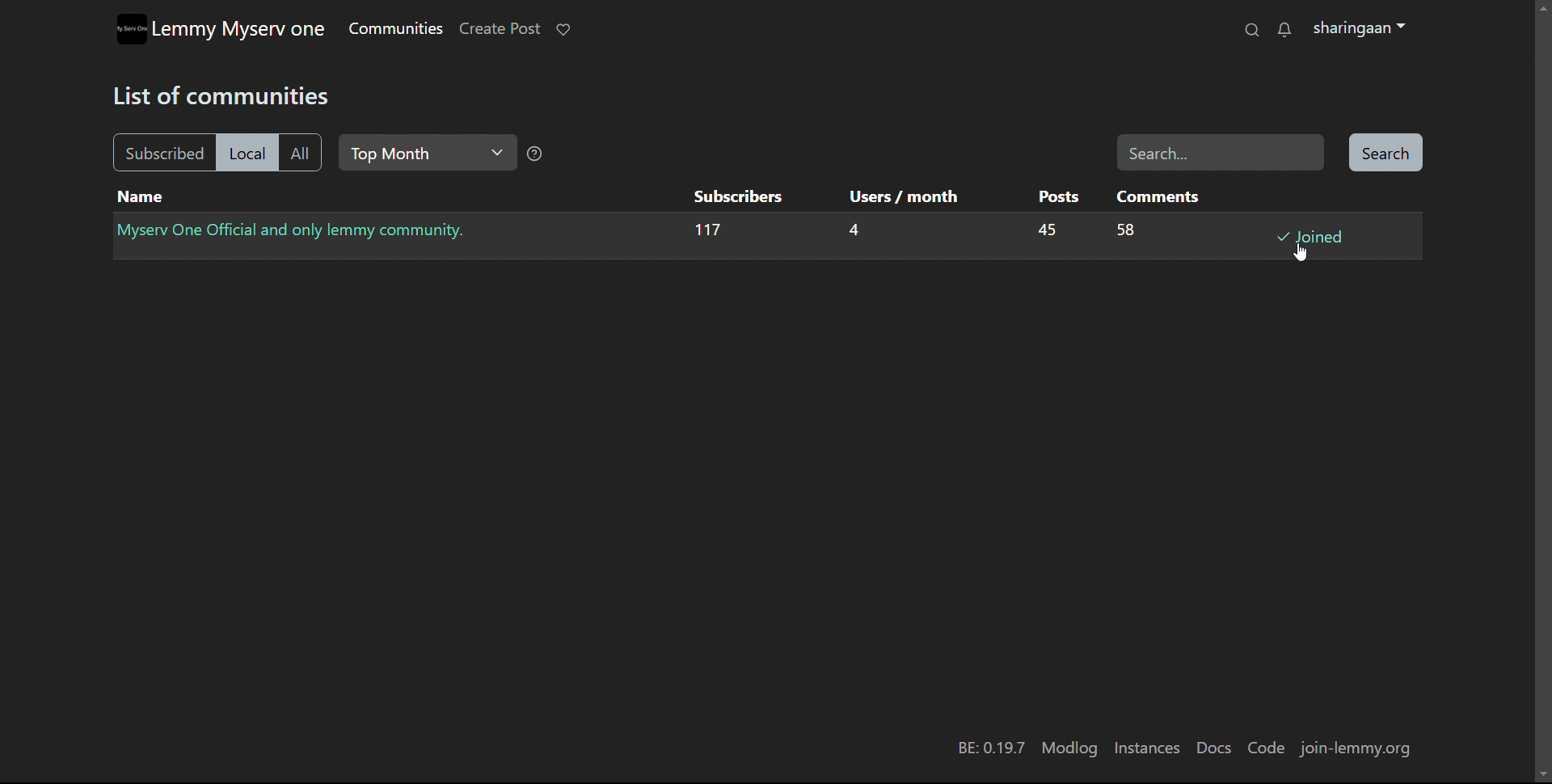  Describe the element at coordinates (1312, 236) in the screenshot. I see `joined` at that location.